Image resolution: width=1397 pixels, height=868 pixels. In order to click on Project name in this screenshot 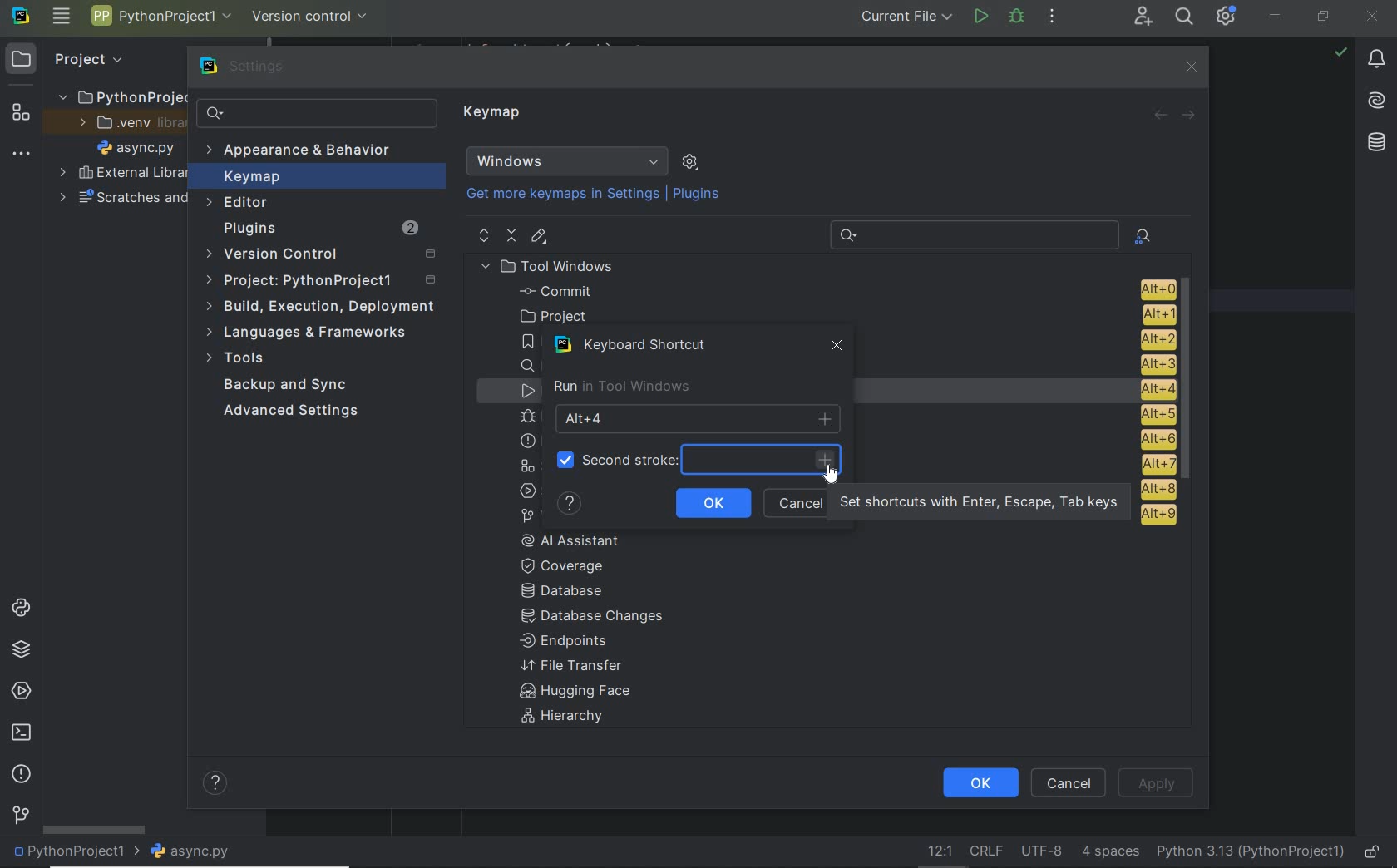, I will do `click(161, 19)`.